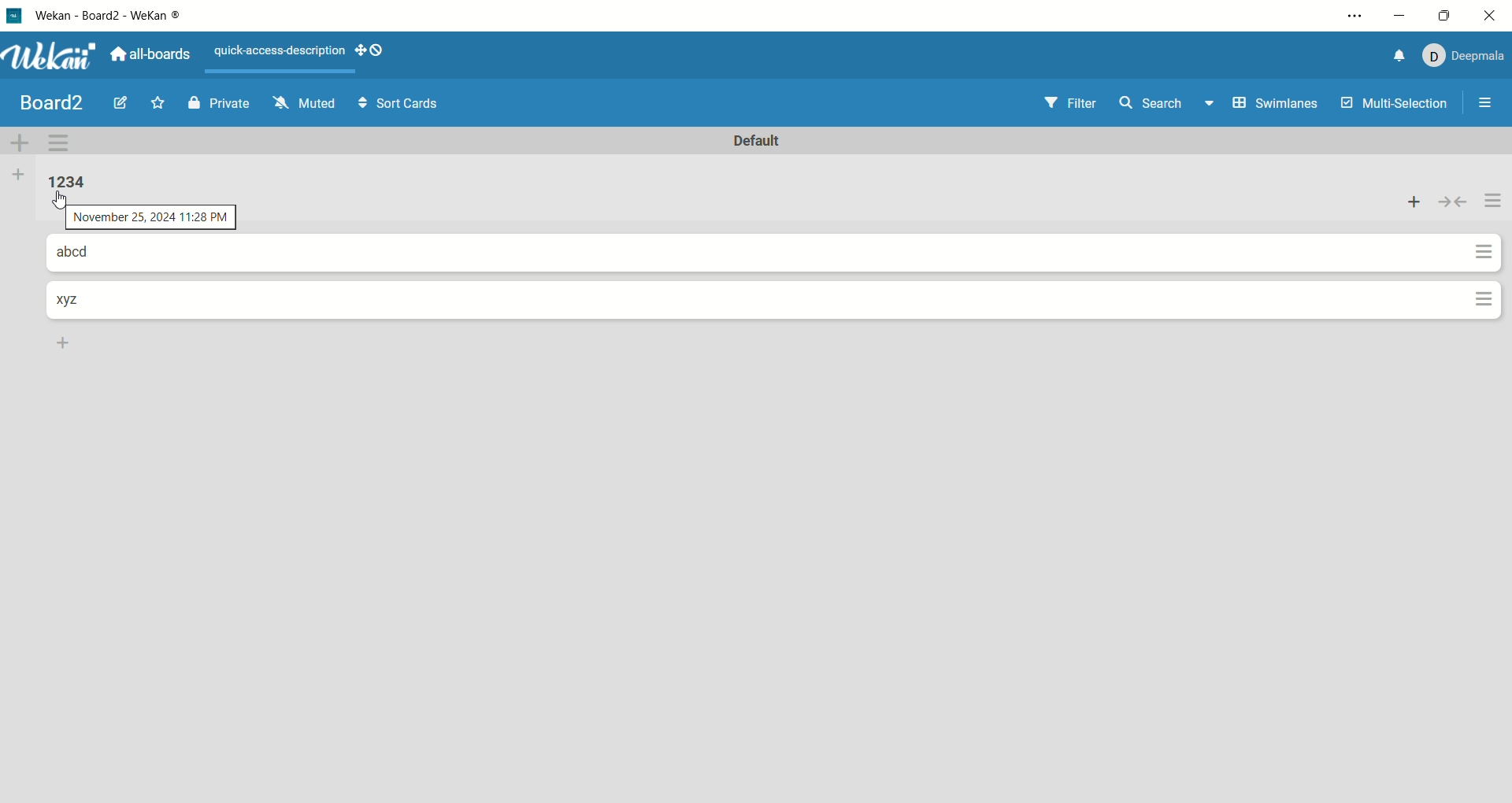 The image size is (1512, 803). I want to click on wekan-wekan, so click(116, 17).